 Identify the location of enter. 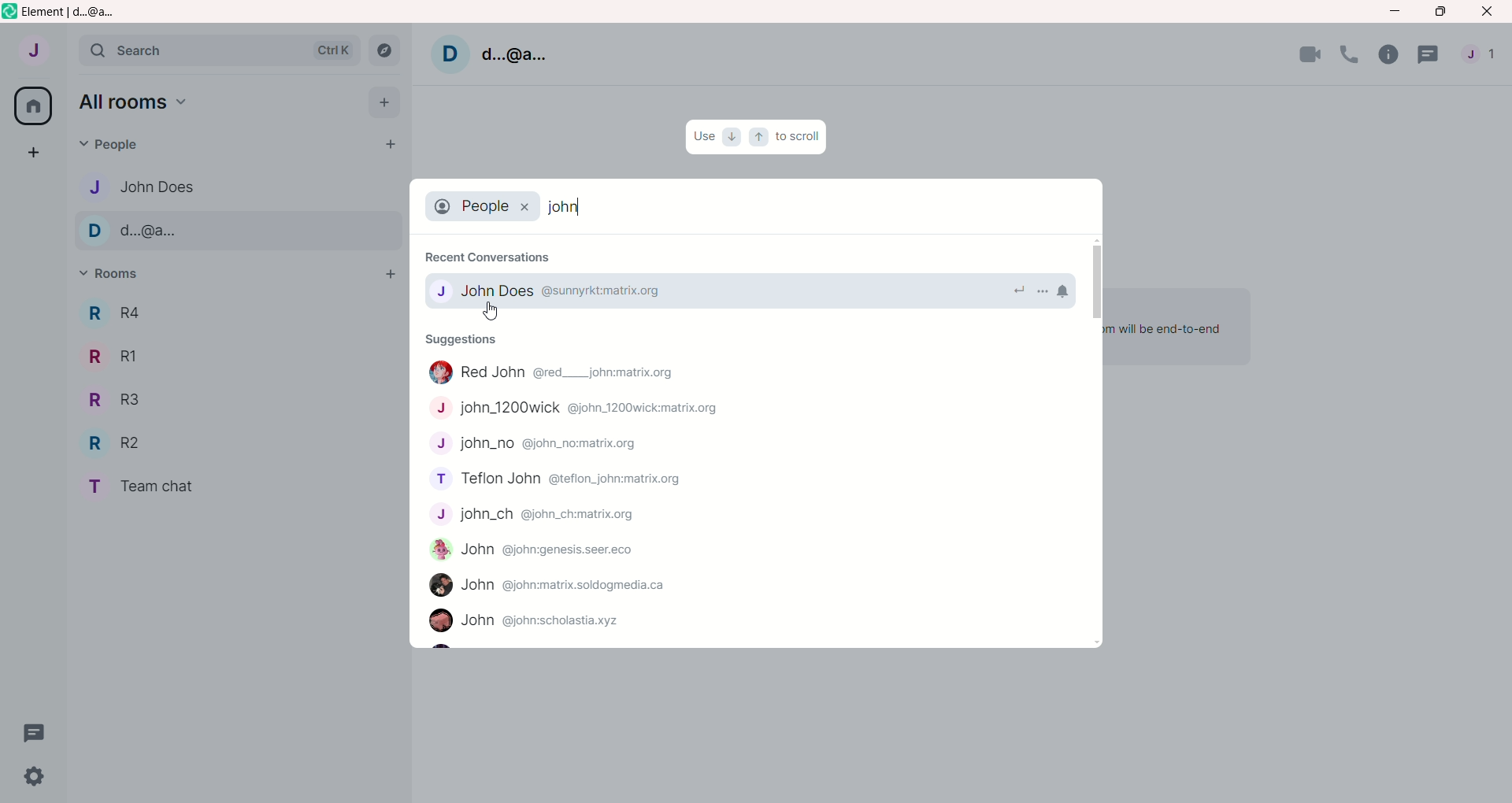
(1014, 289).